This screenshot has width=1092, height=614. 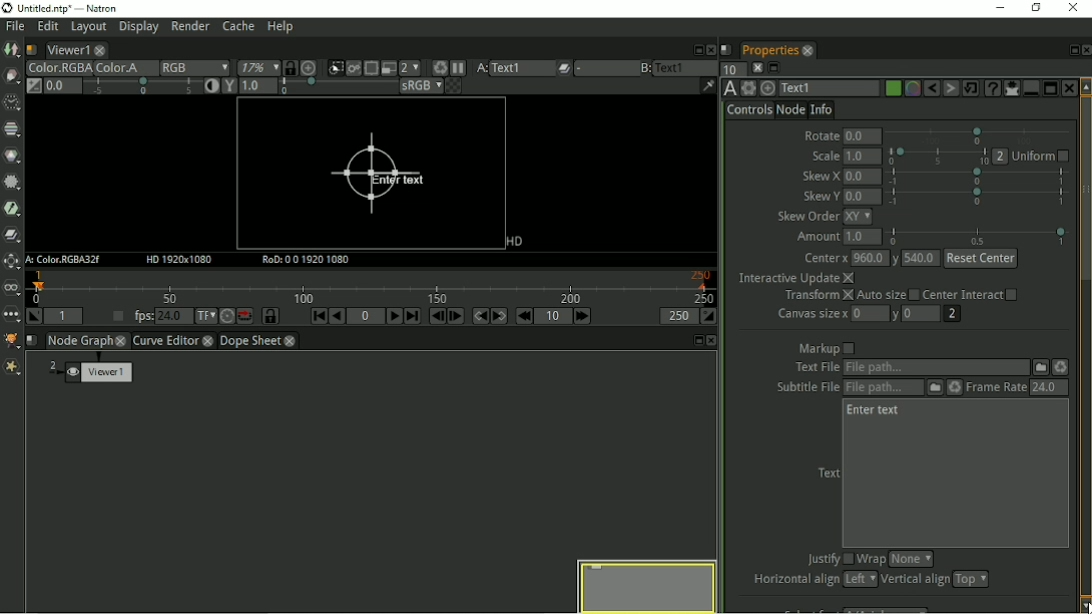 I want to click on B, so click(x=644, y=68).